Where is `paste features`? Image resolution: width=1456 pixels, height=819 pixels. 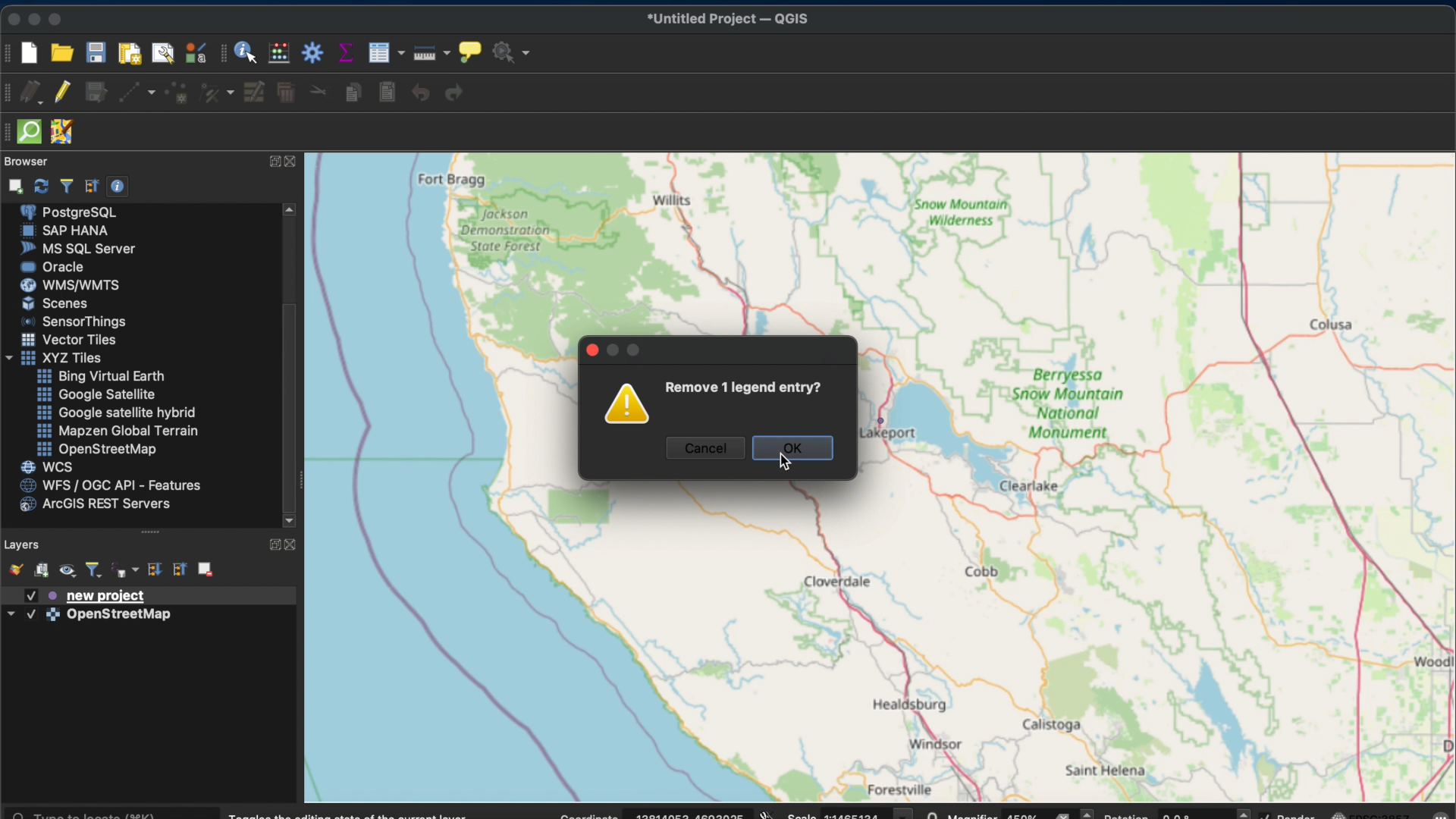
paste features is located at coordinates (389, 93).